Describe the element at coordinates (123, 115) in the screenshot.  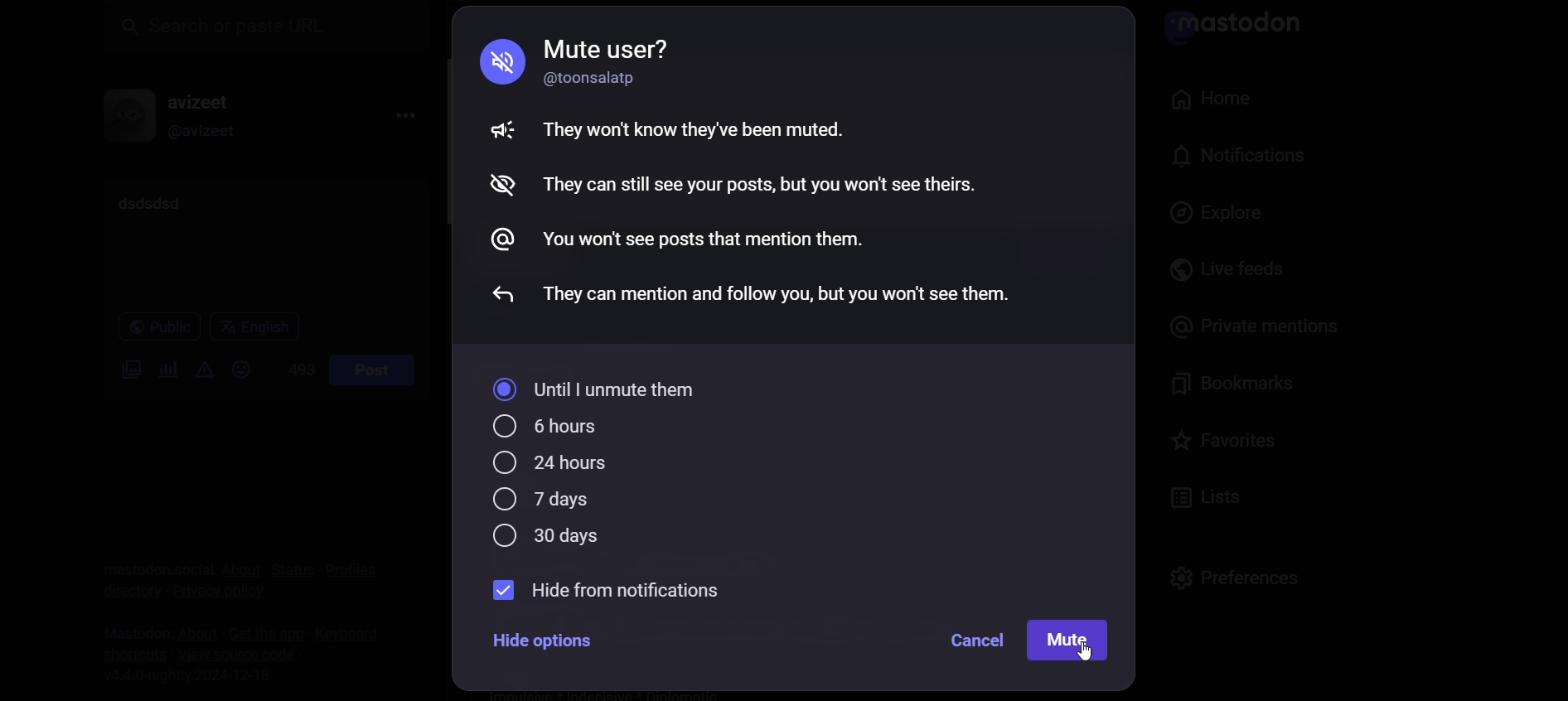
I see `profile picture` at that location.